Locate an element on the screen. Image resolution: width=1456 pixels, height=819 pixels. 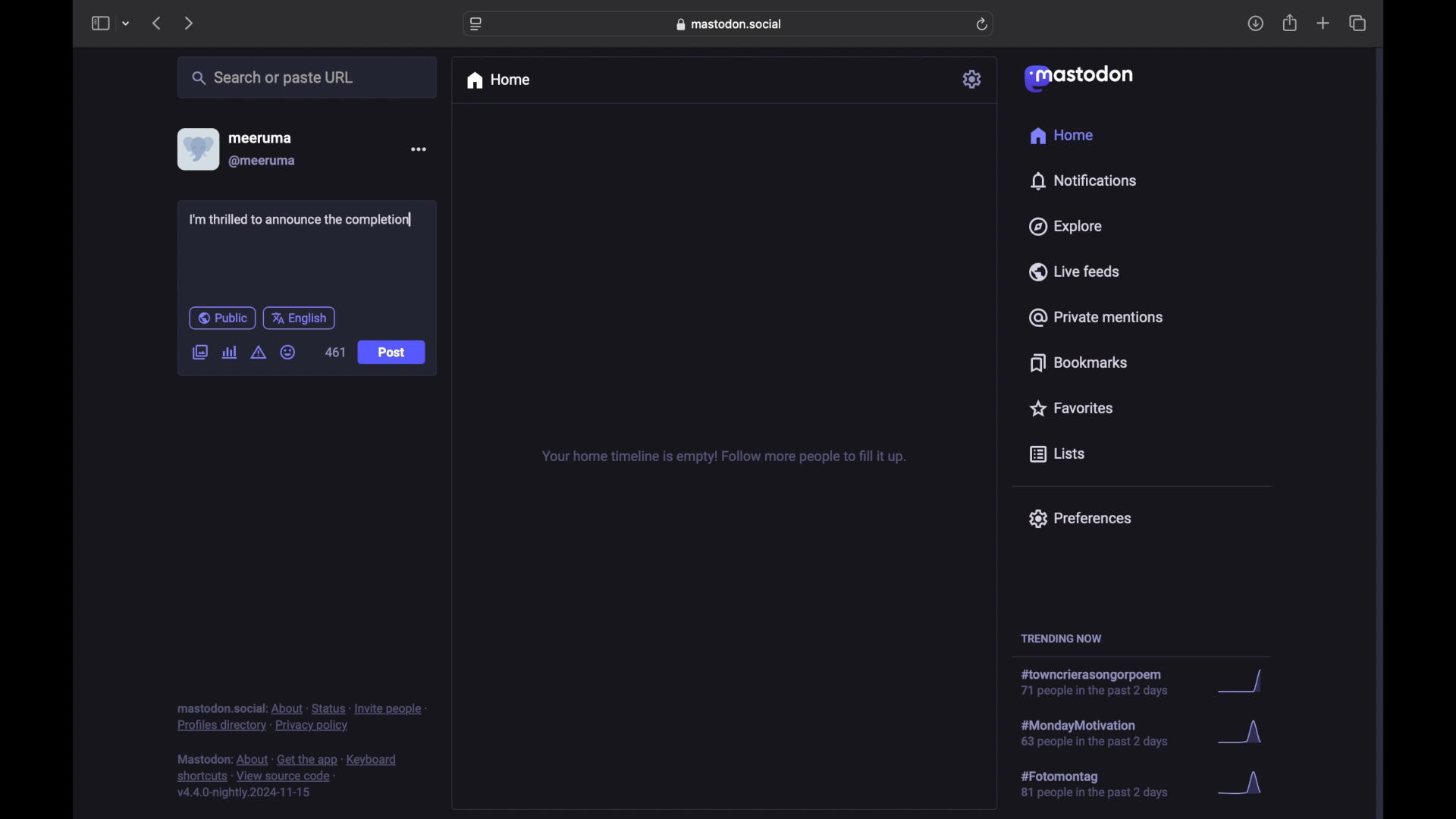
add poll is located at coordinates (231, 353).